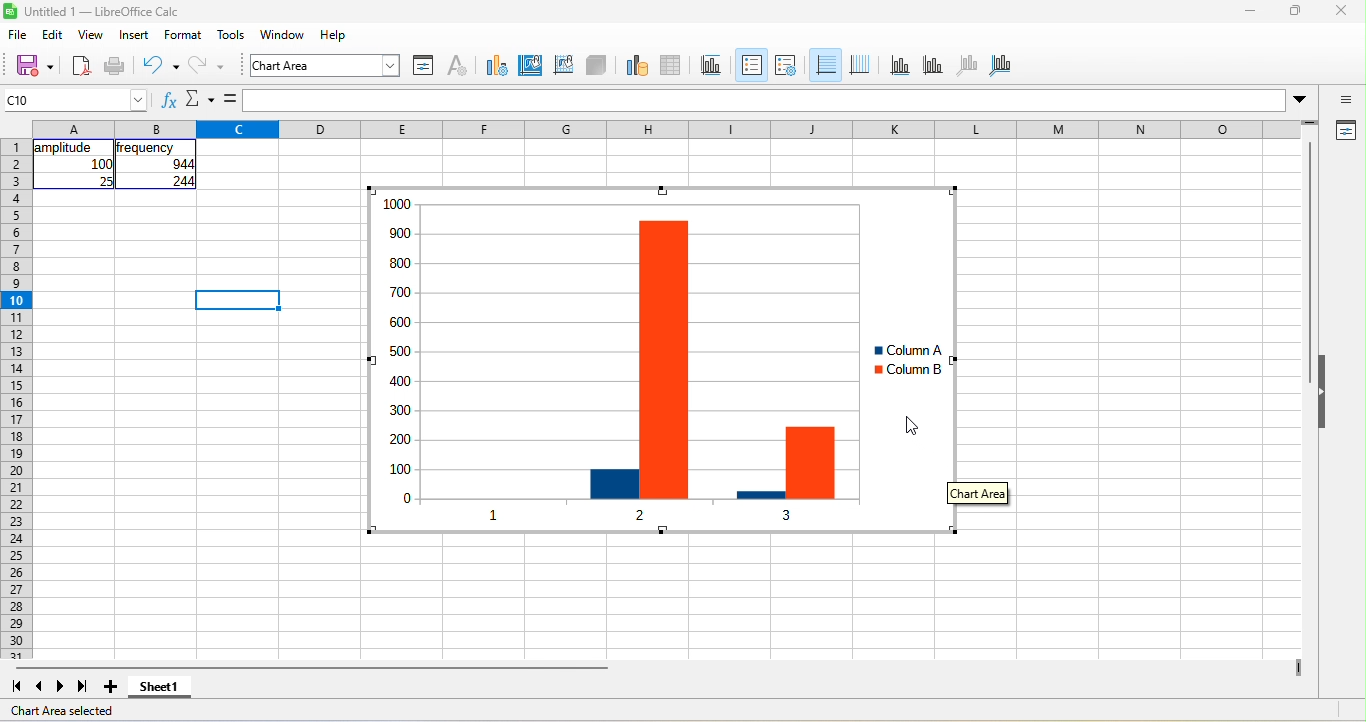 This screenshot has width=1366, height=722. I want to click on More options, so click(1299, 101).